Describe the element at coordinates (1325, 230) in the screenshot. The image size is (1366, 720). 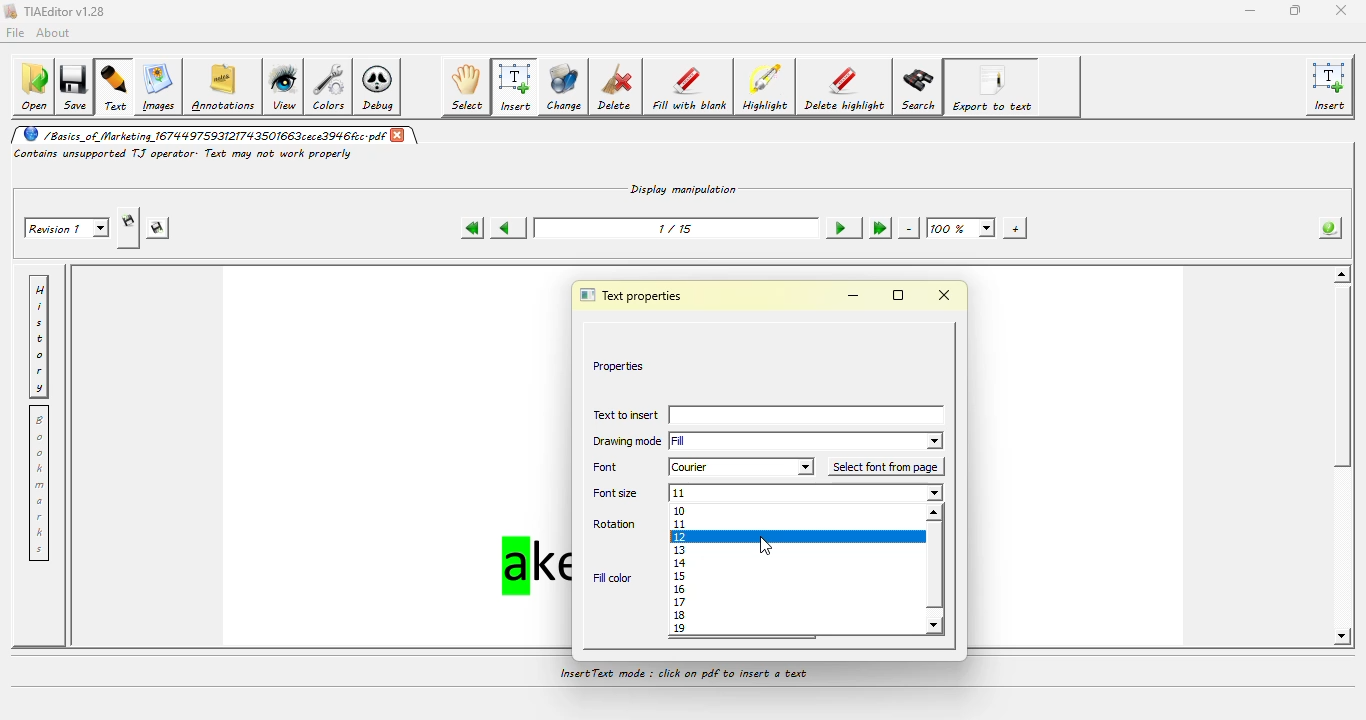
I see `info about the pdf` at that location.